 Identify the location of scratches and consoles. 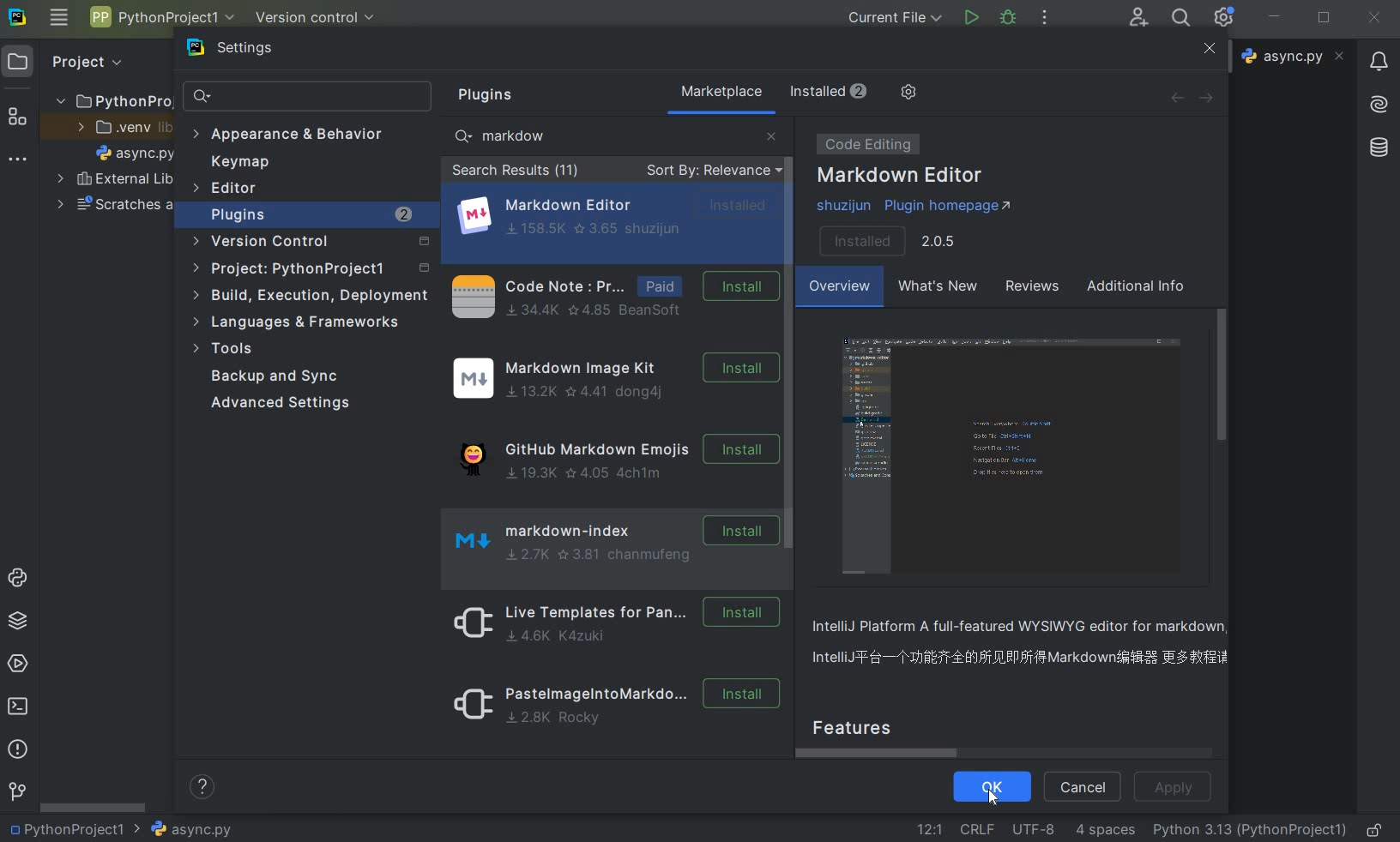
(115, 207).